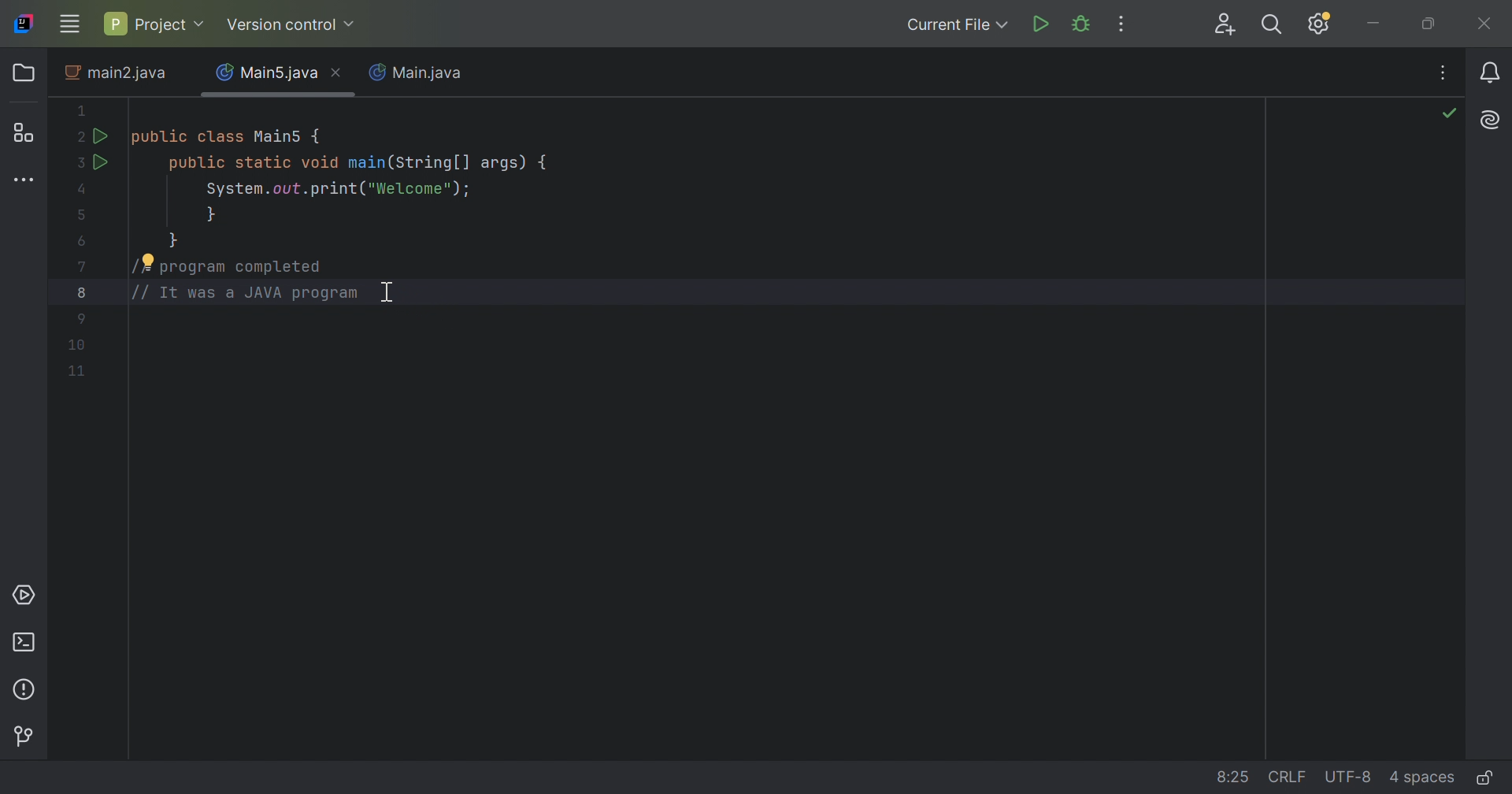  I want to click on IntelliJ icon, so click(24, 24).